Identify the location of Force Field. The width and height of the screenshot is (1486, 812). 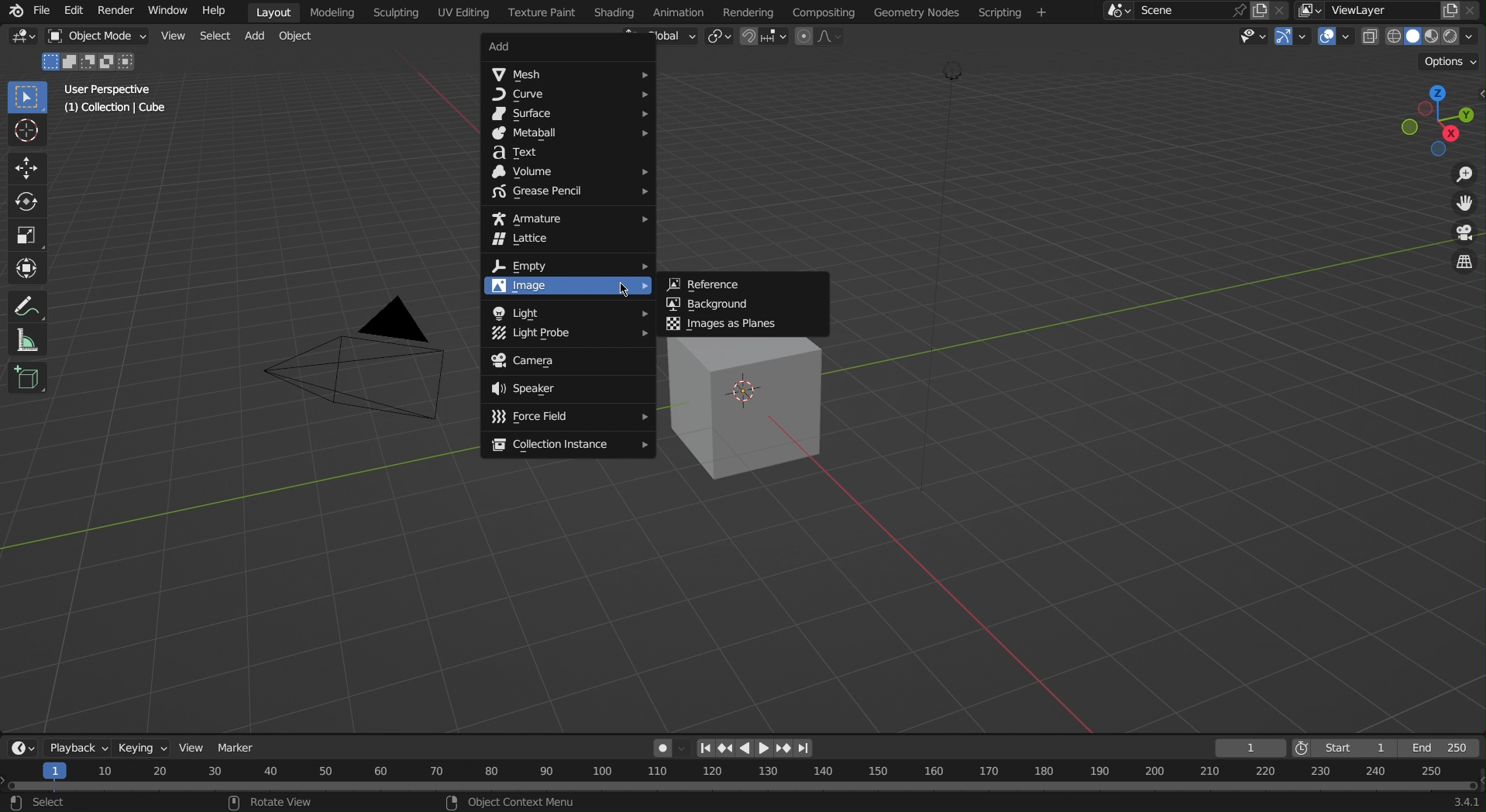
(568, 418).